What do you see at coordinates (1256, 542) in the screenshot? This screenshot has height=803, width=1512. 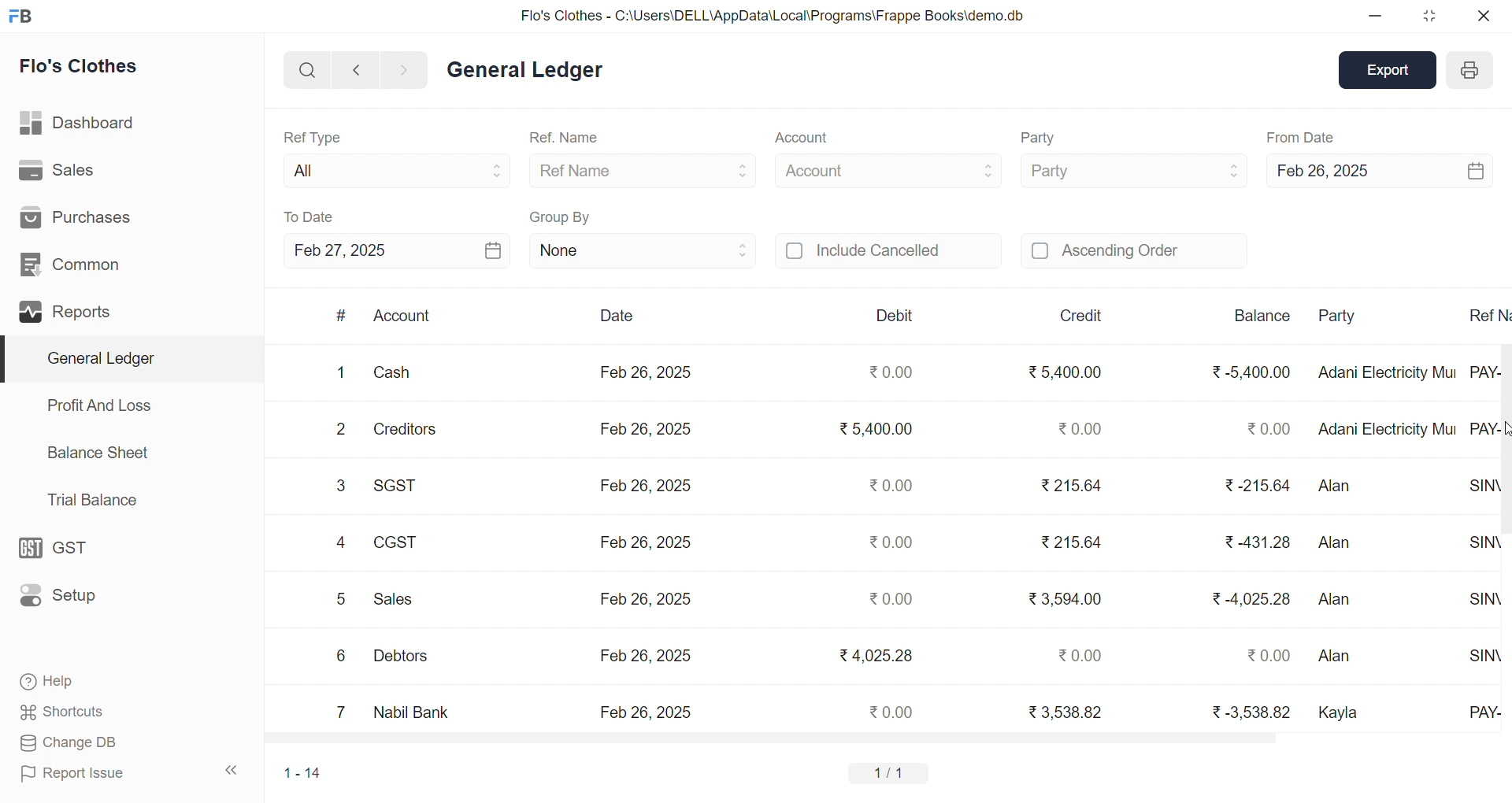 I see `₹ 431.28` at bounding box center [1256, 542].